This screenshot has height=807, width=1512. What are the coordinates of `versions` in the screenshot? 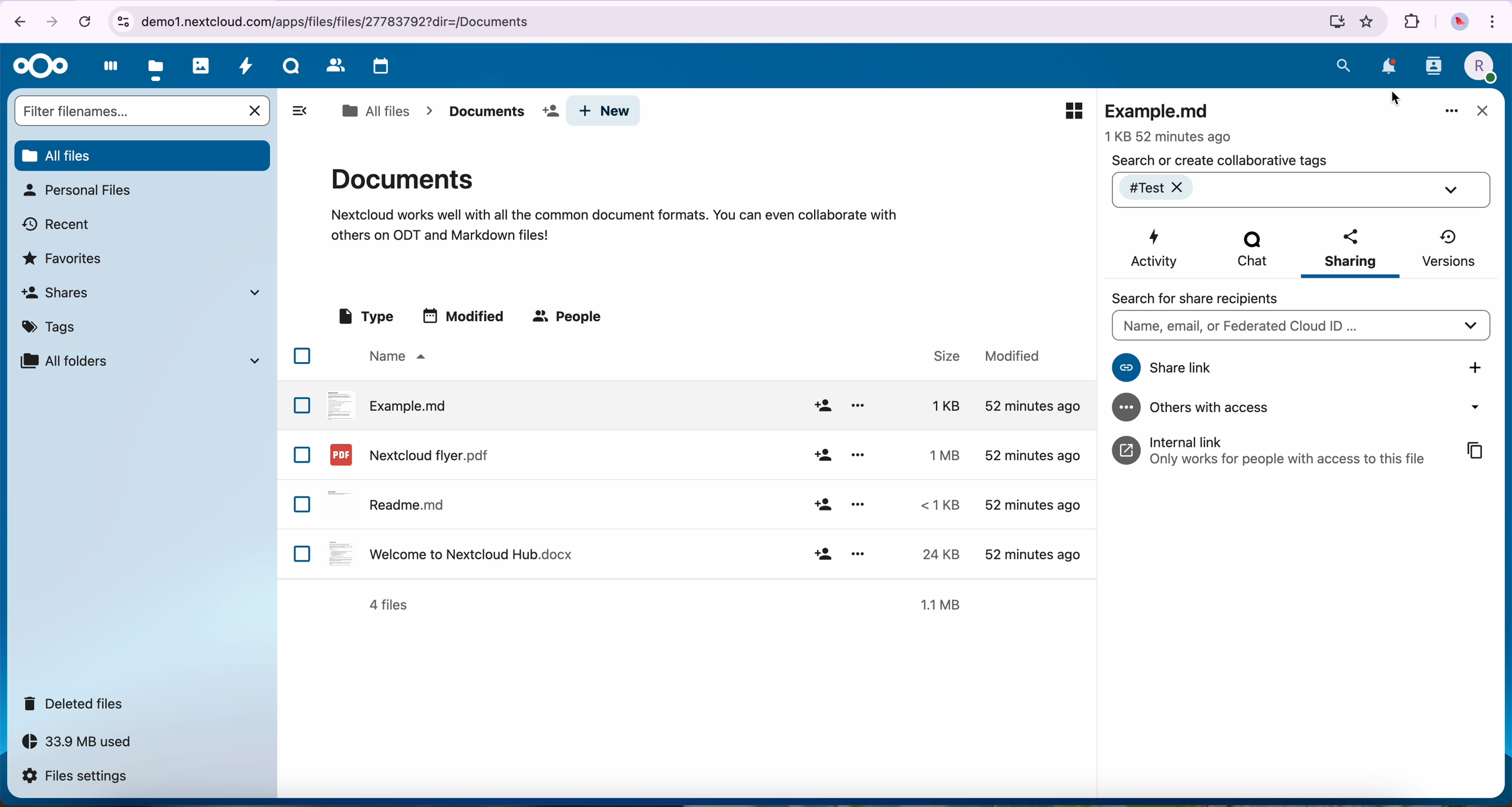 It's located at (1447, 248).